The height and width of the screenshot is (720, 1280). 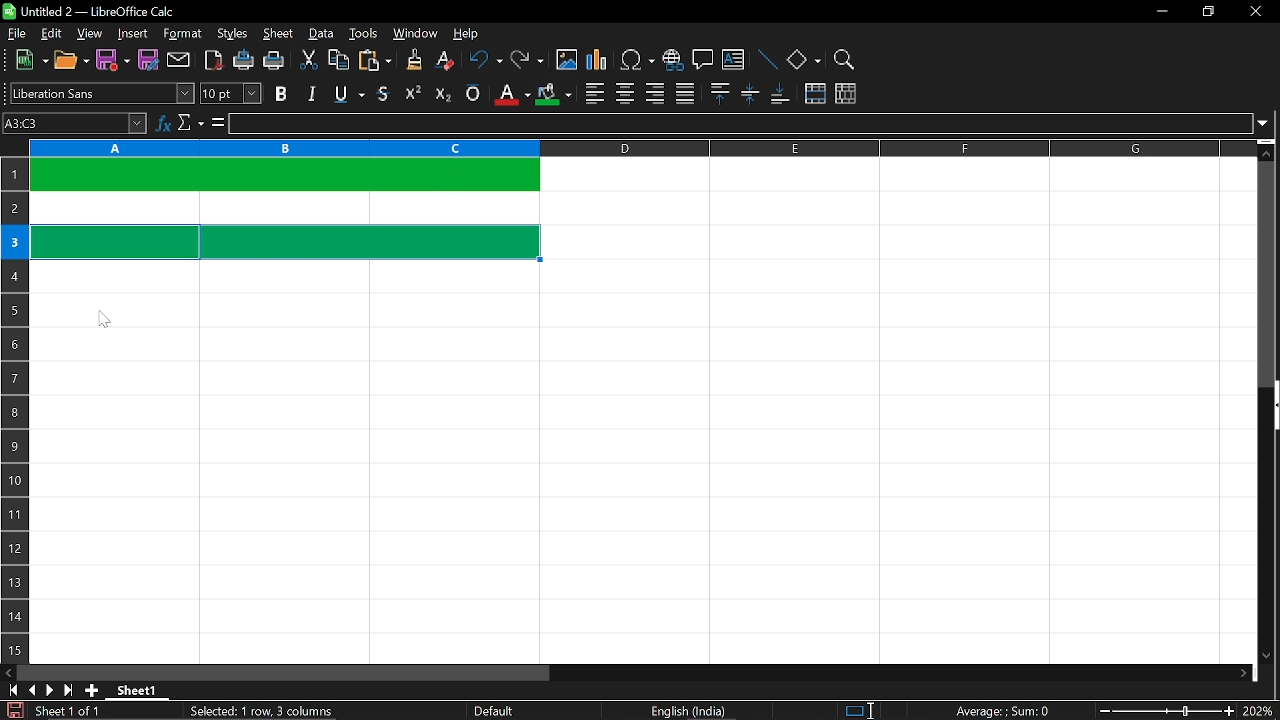 I want to click on add sheet, so click(x=92, y=691).